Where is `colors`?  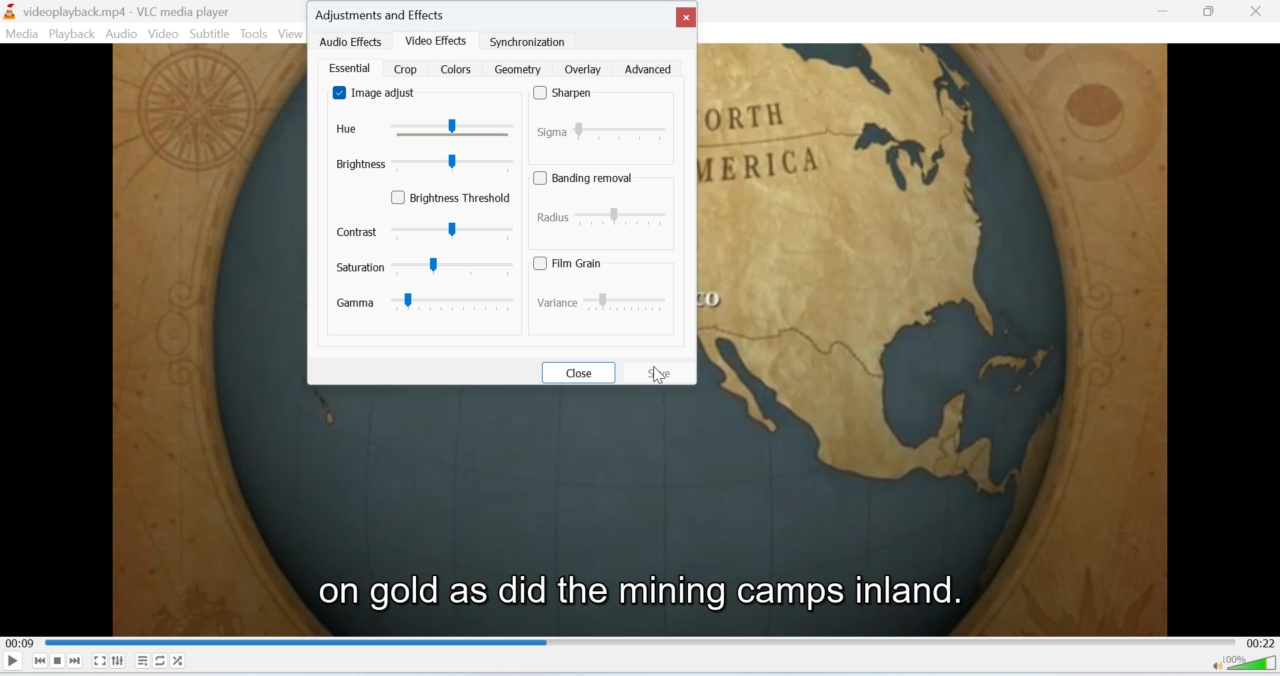 colors is located at coordinates (458, 69).